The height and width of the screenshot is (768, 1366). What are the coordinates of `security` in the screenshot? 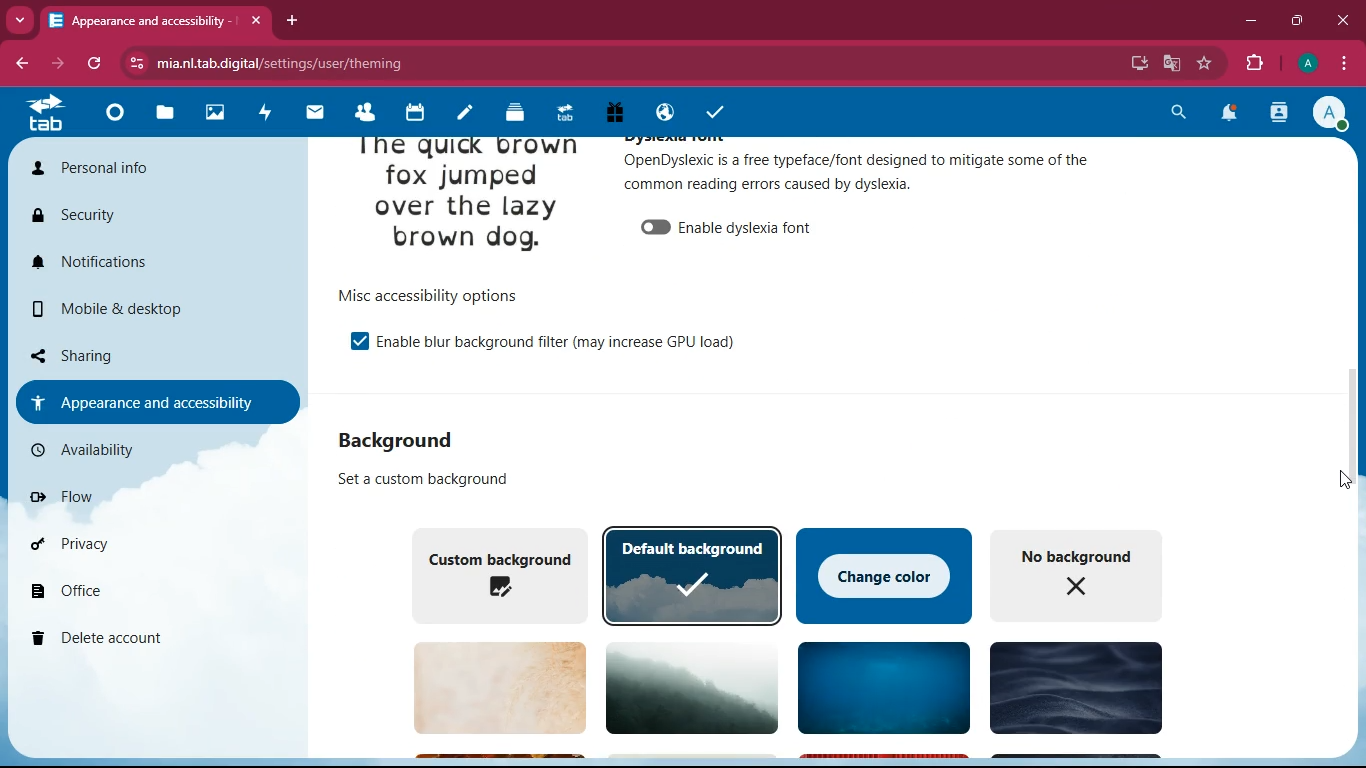 It's located at (148, 218).